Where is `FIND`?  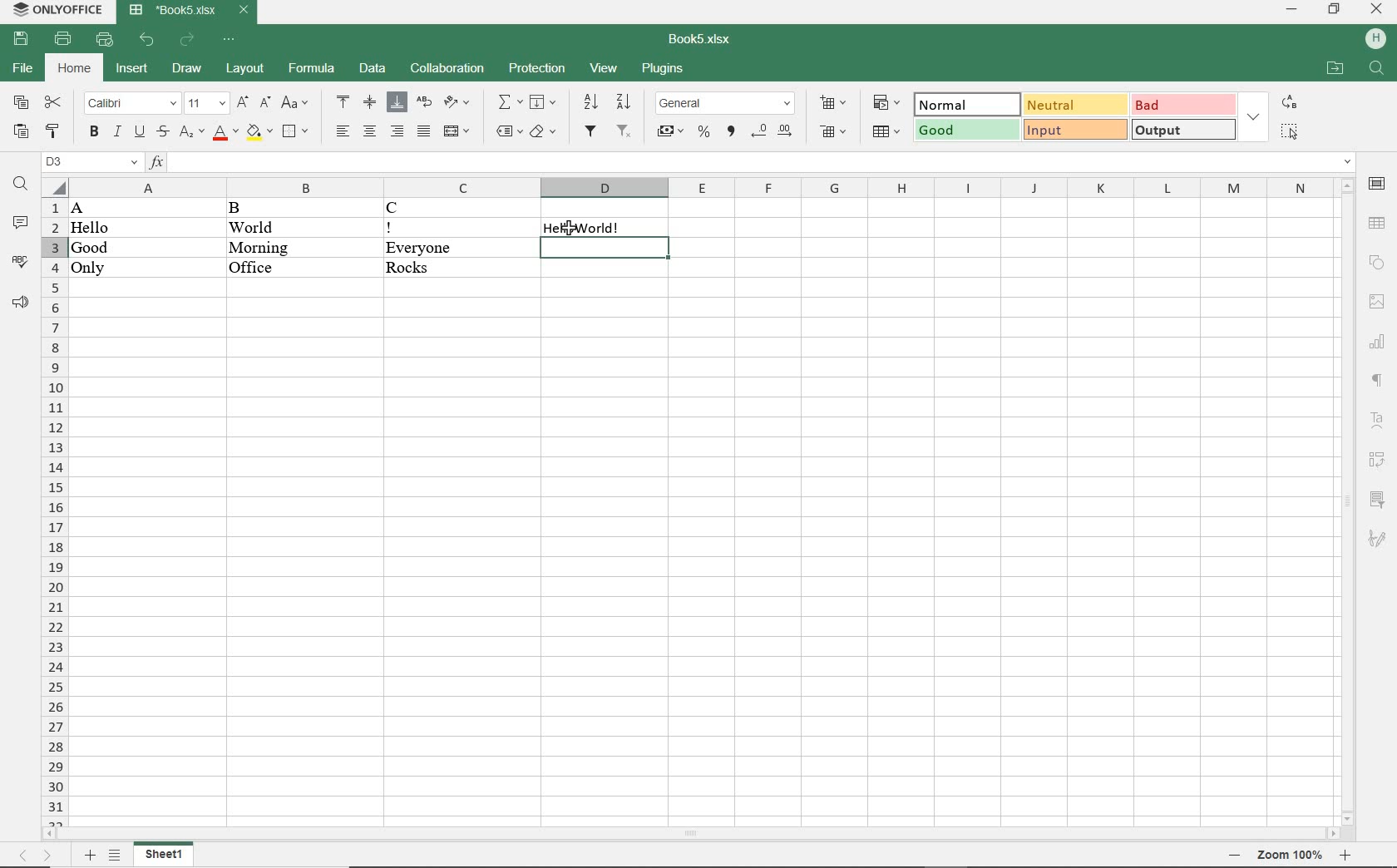 FIND is located at coordinates (1375, 68).